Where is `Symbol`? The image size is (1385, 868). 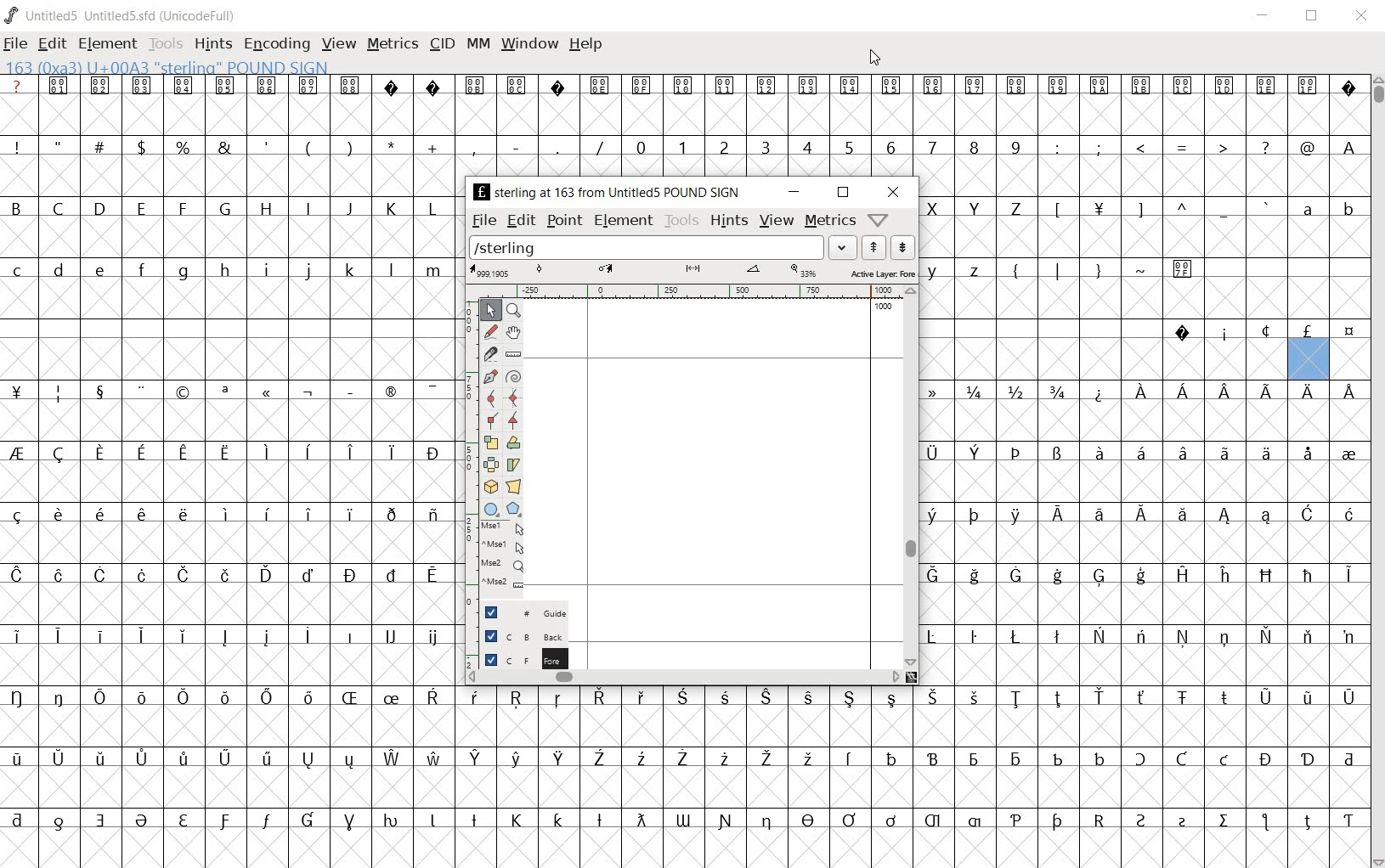
Symbol is located at coordinates (1138, 453).